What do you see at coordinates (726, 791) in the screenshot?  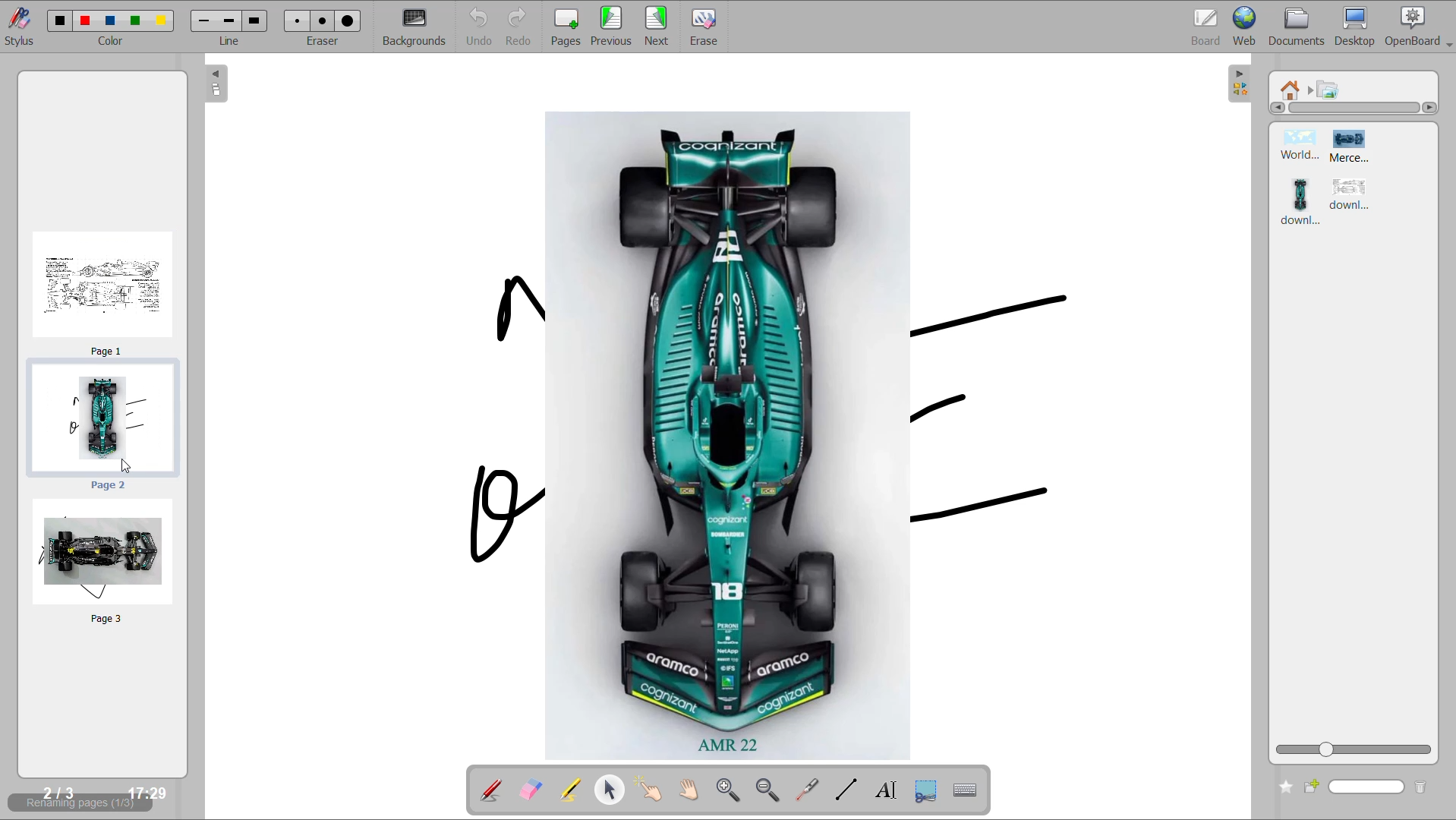 I see `zoom in` at bounding box center [726, 791].